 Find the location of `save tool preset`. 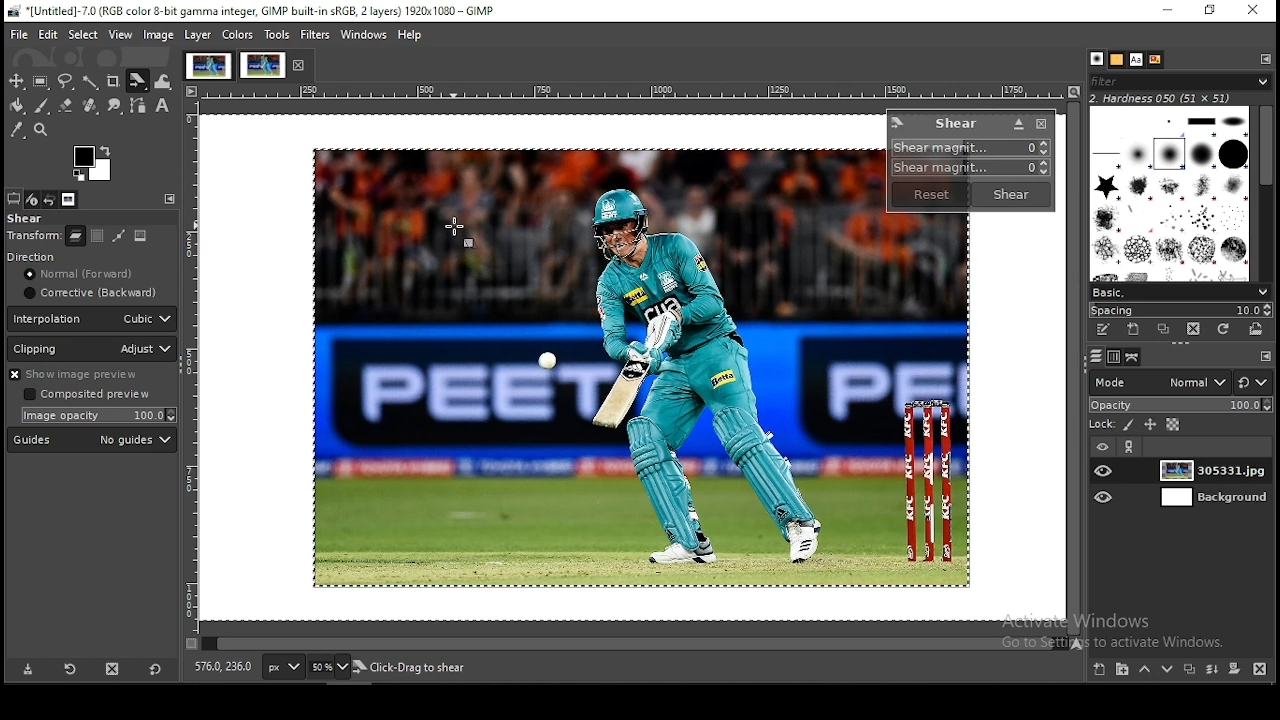

save tool preset is located at coordinates (26, 670).